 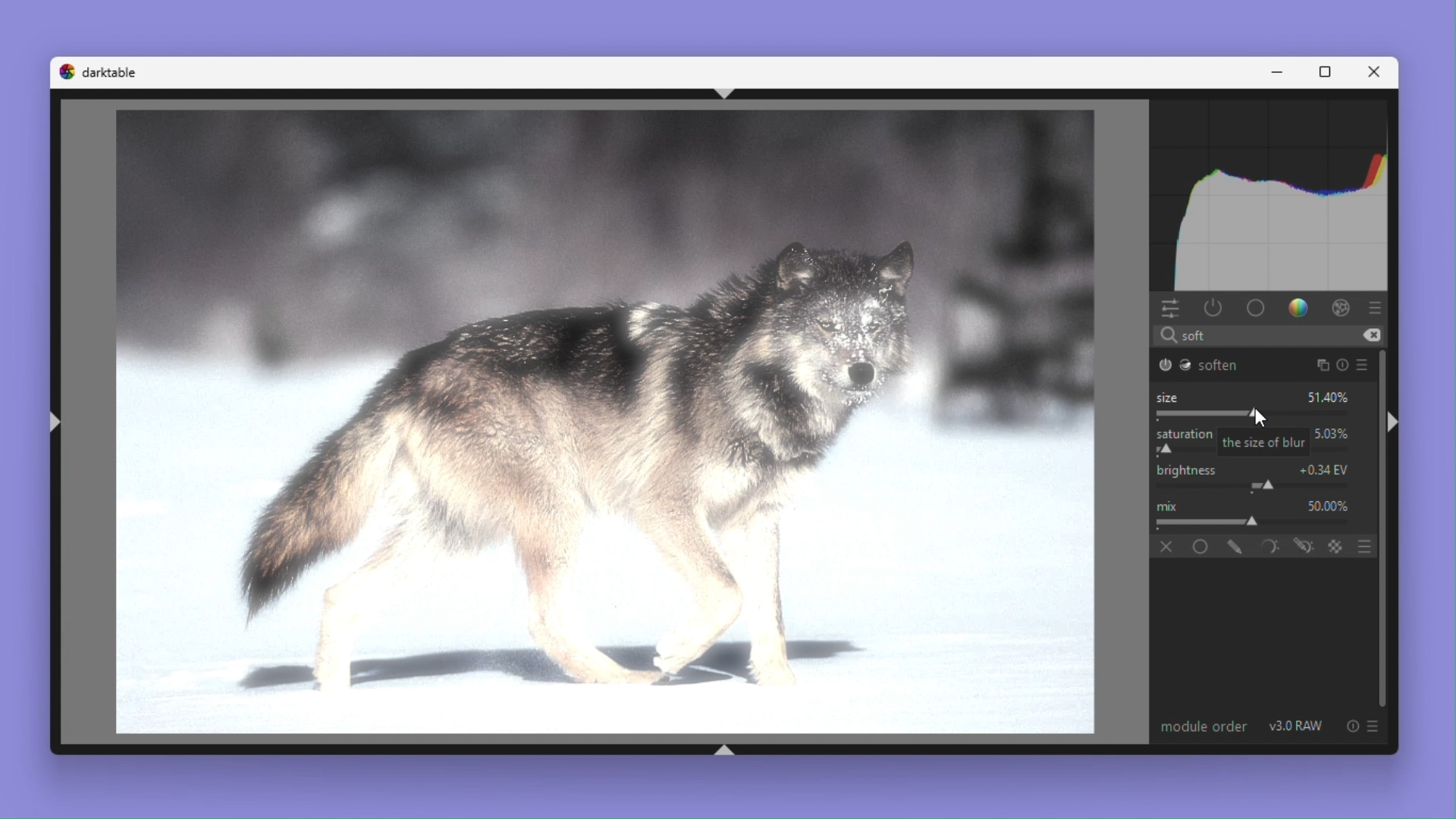 What do you see at coordinates (1326, 468) in the screenshot?
I see `Value ` at bounding box center [1326, 468].